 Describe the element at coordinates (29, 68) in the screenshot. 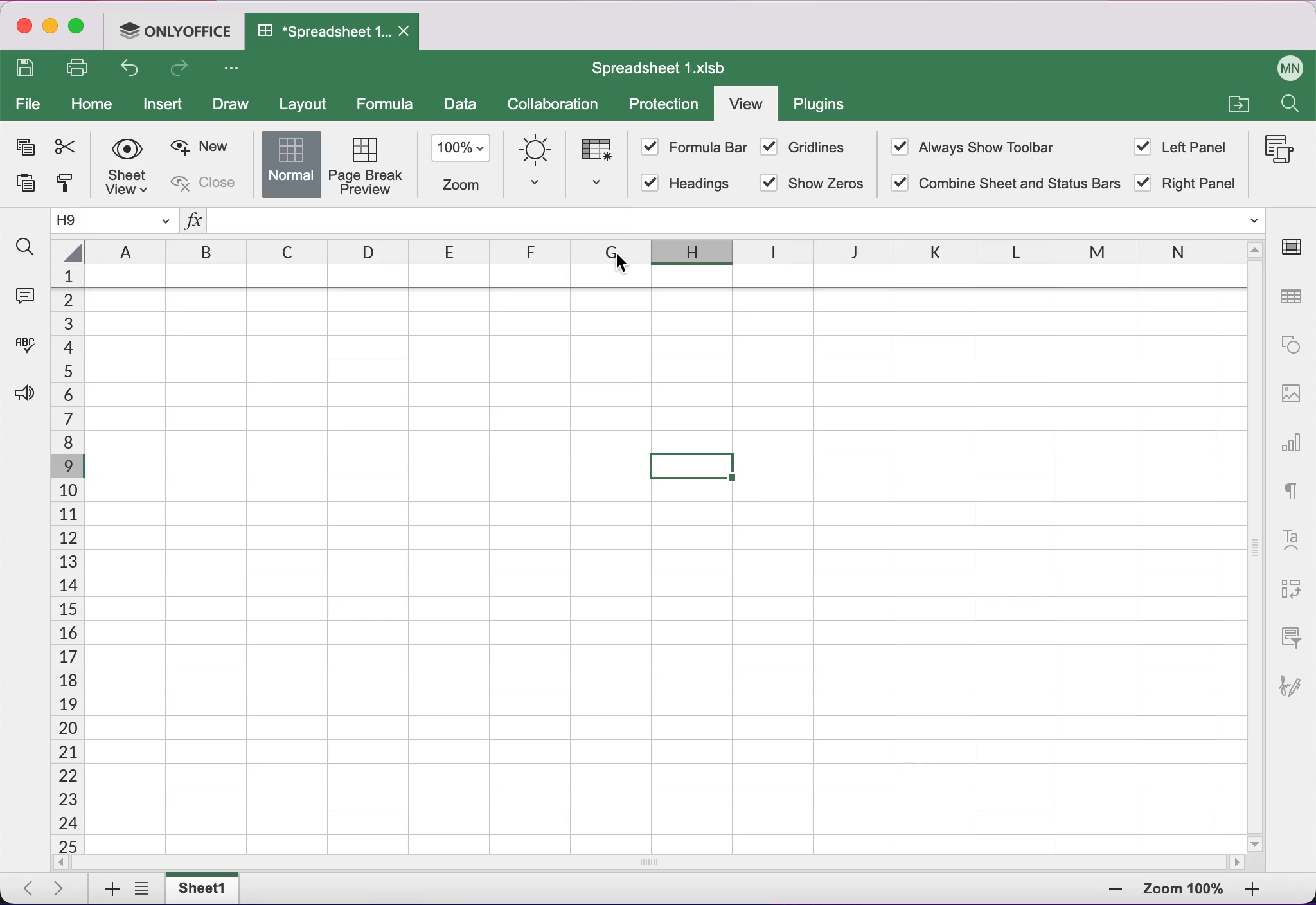

I see `save` at that location.